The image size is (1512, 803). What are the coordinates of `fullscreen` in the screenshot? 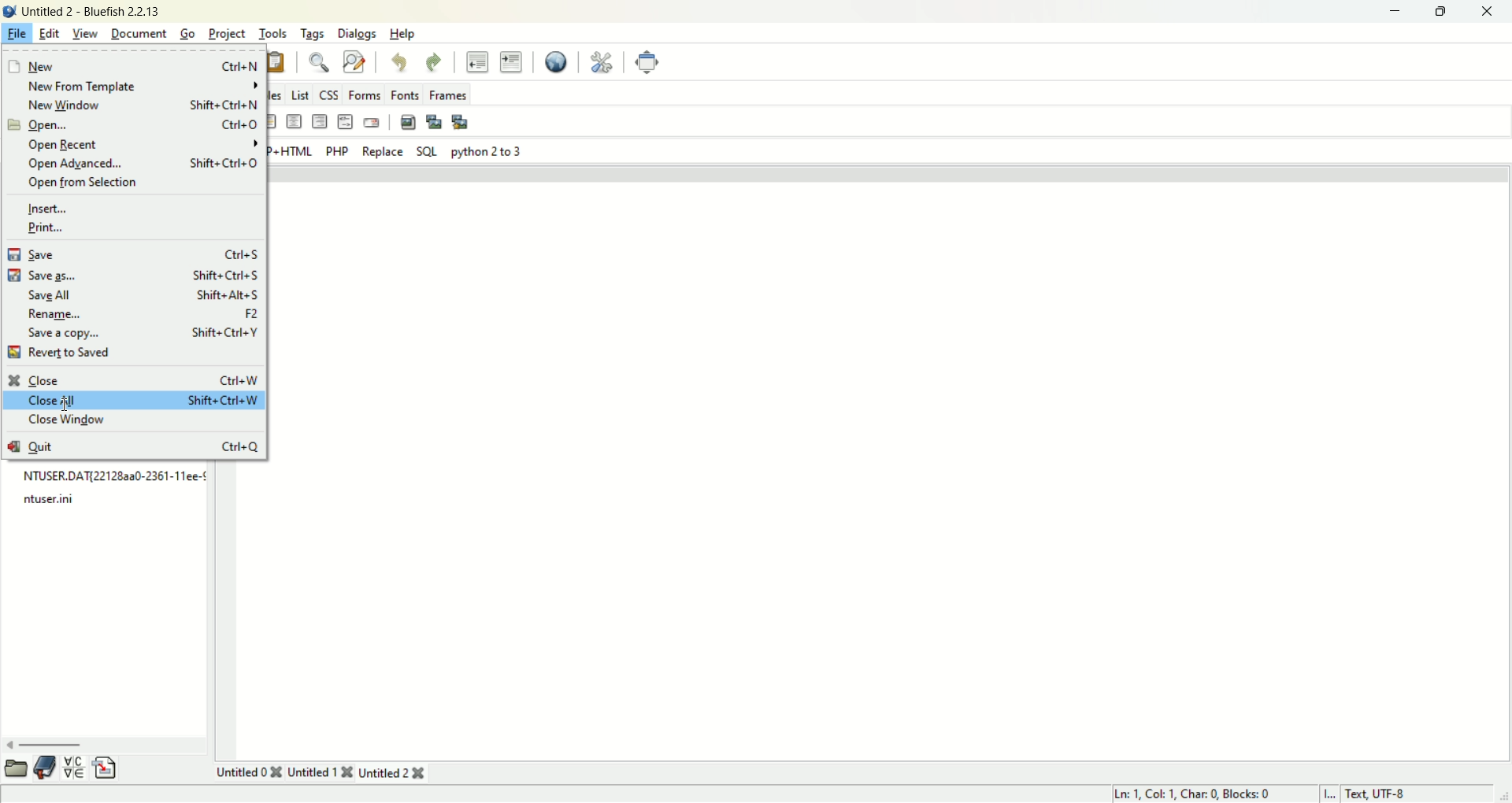 It's located at (648, 61).